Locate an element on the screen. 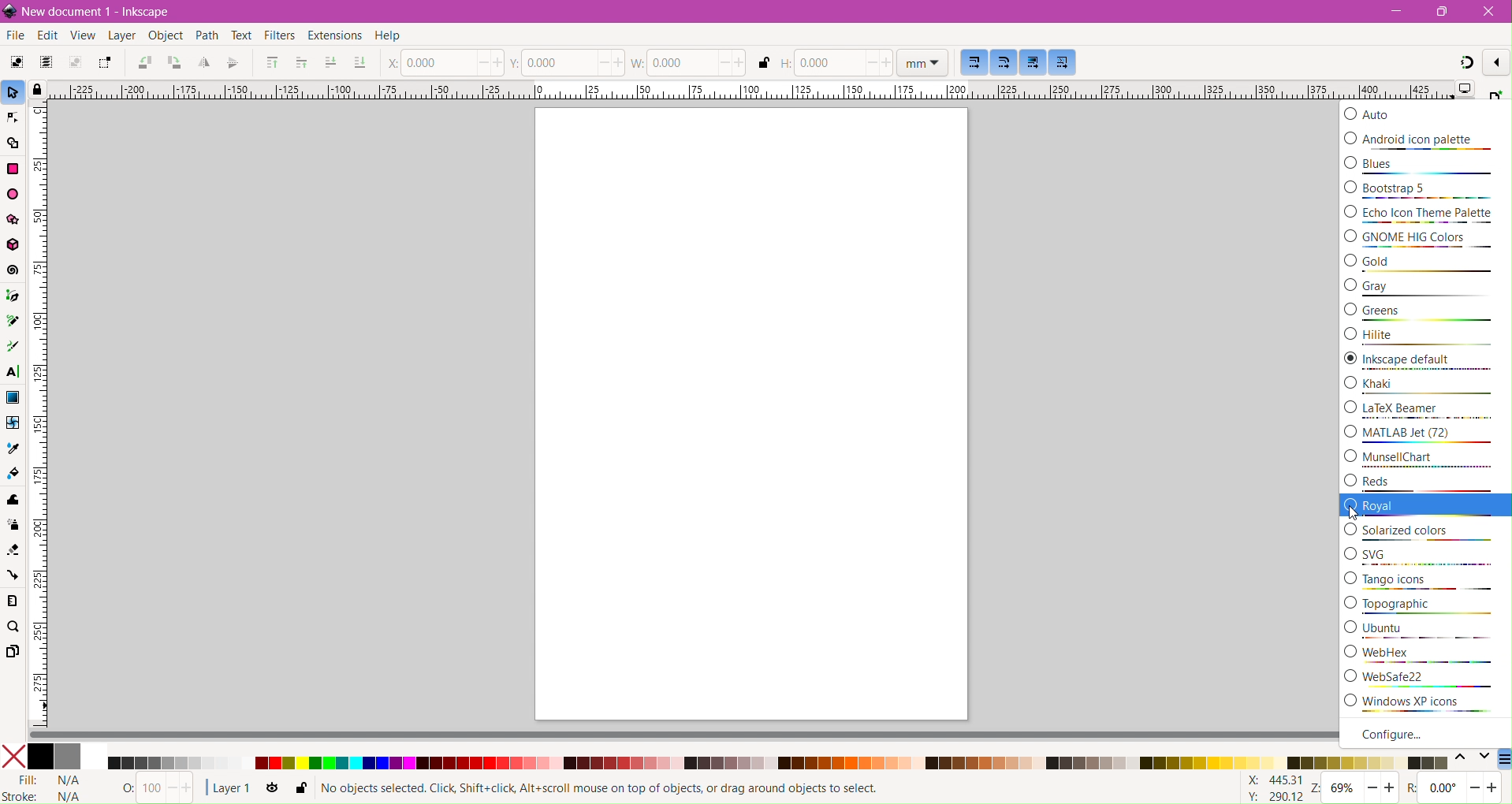 This screenshot has width=1512, height=804. Tango Icons is located at coordinates (1425, 580).